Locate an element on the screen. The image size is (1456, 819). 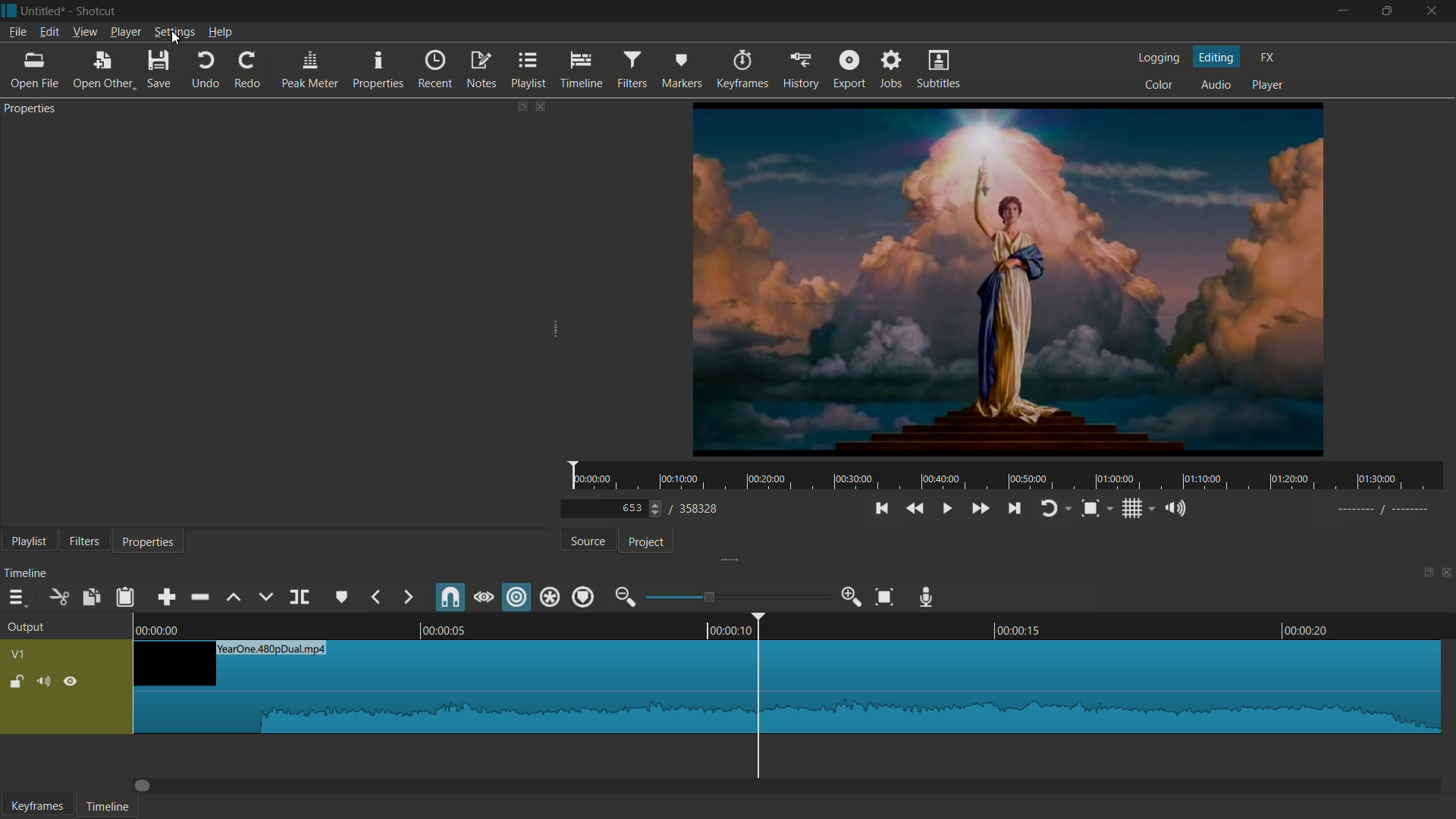
edit menu is located at coordinates (49, 32).